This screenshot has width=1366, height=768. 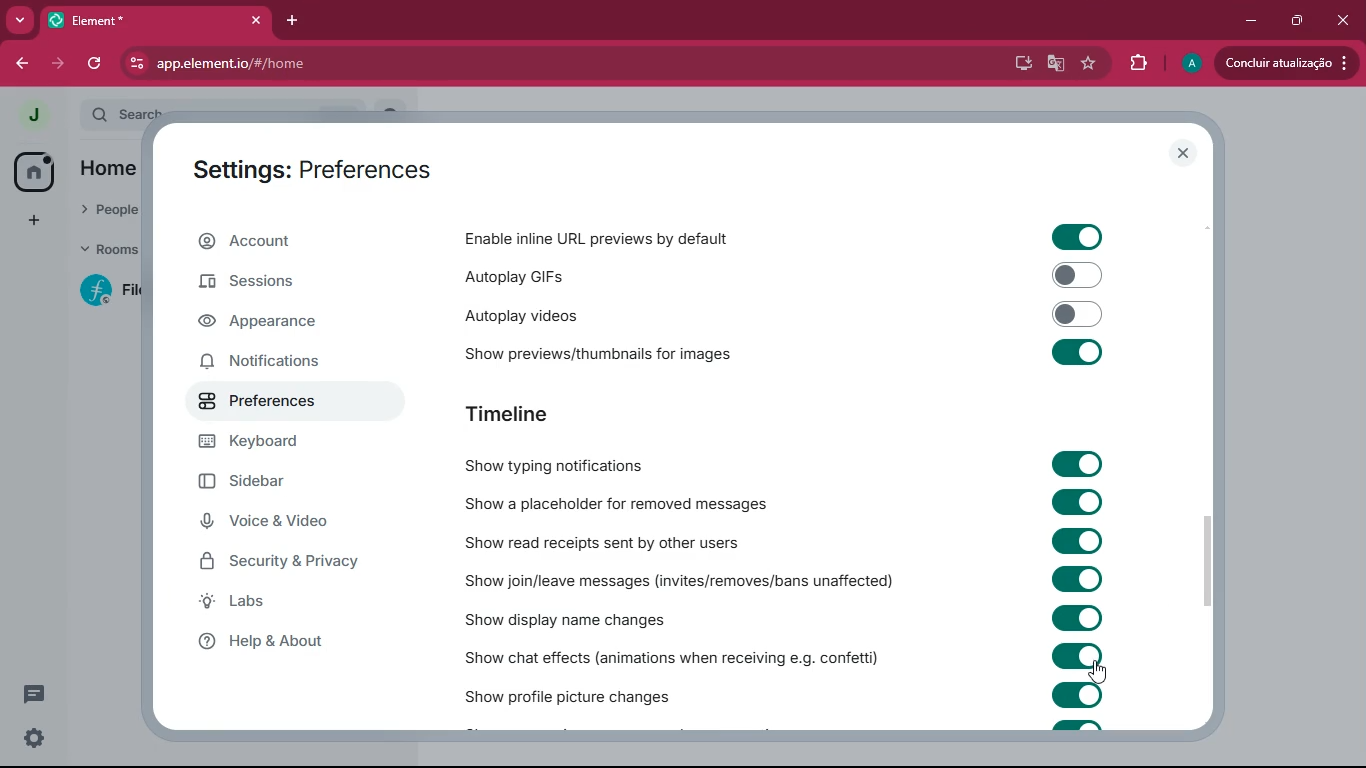 What do you see at coordinates (102, 251) in the screenshot?
I see `rooms` at bounding box center [102, 251].